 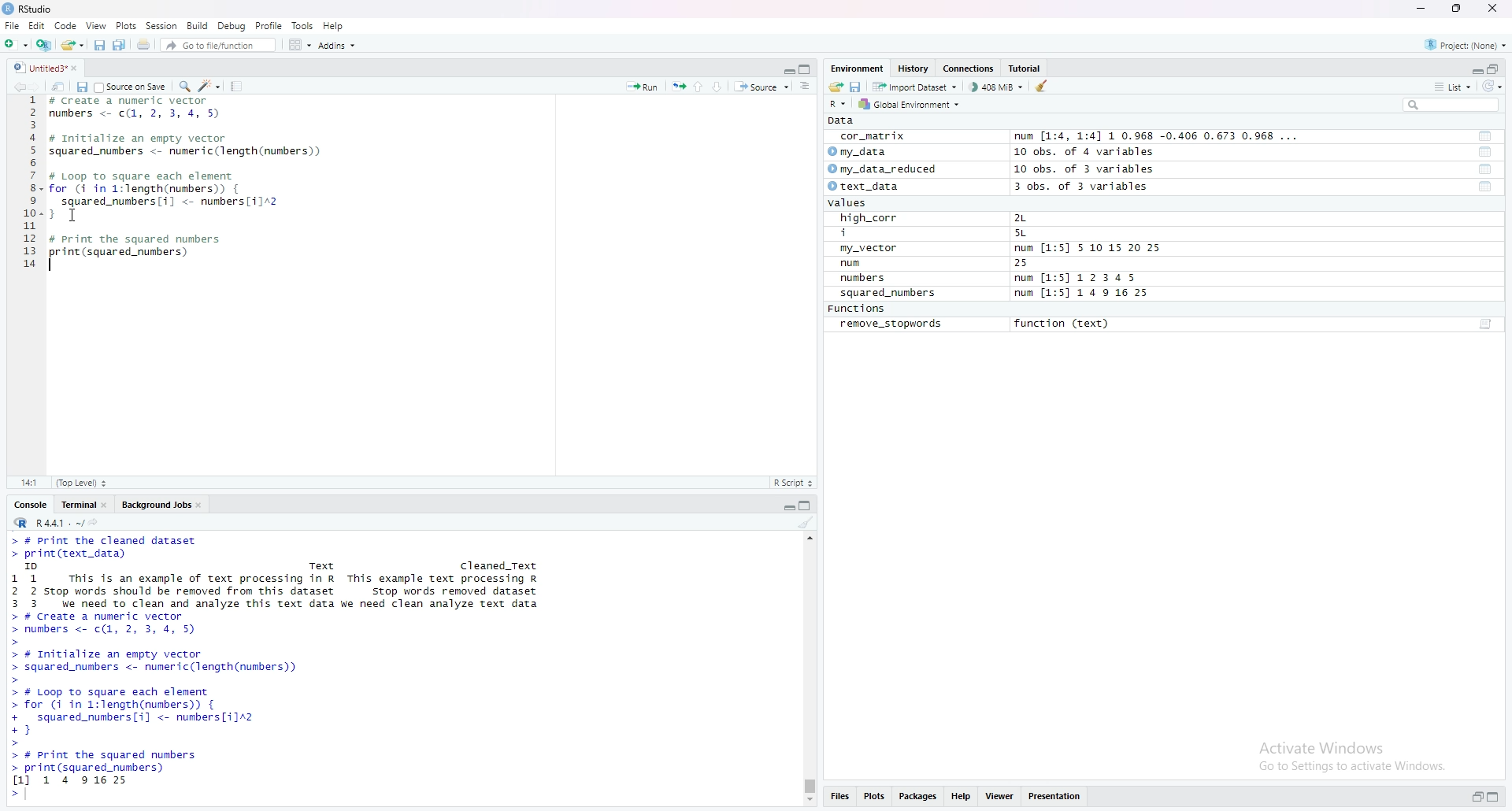 What do you see at coordinates (787, 68) in the screenshot?
I see `minimize` at bounding box center [787, 68].